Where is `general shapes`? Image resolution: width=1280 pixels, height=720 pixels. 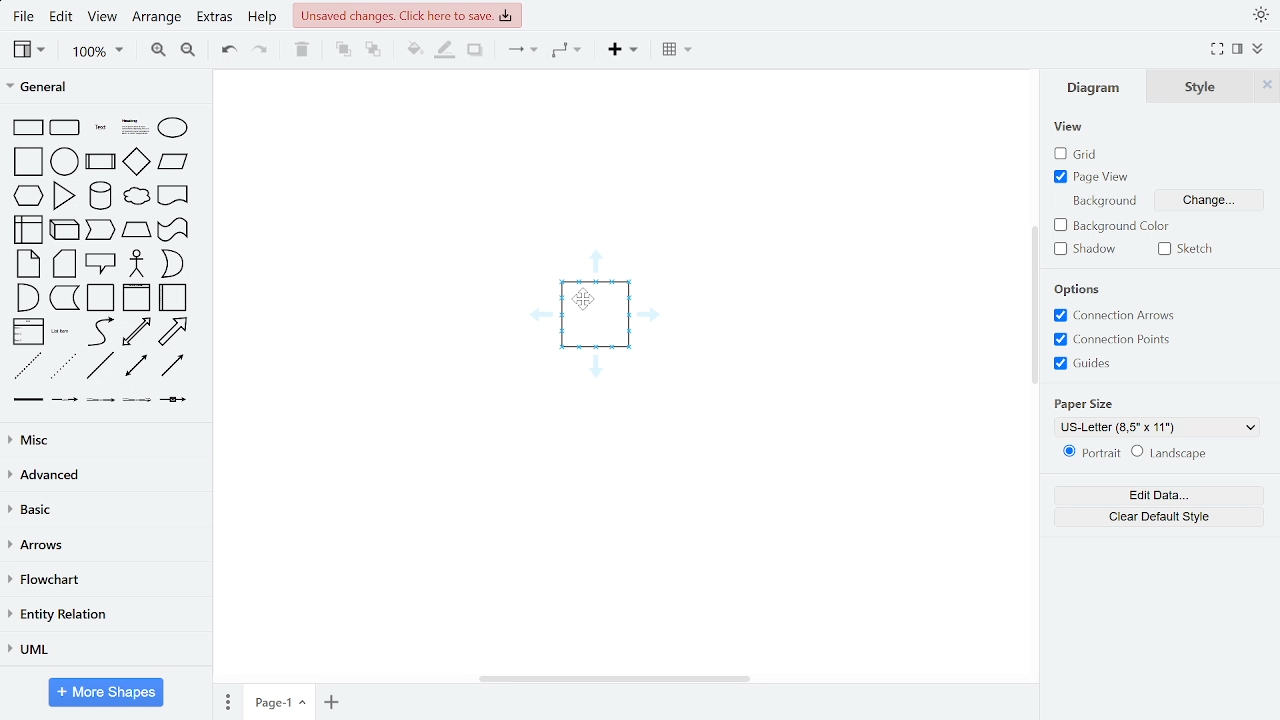 general shapes is located at coordinates (135, 263).